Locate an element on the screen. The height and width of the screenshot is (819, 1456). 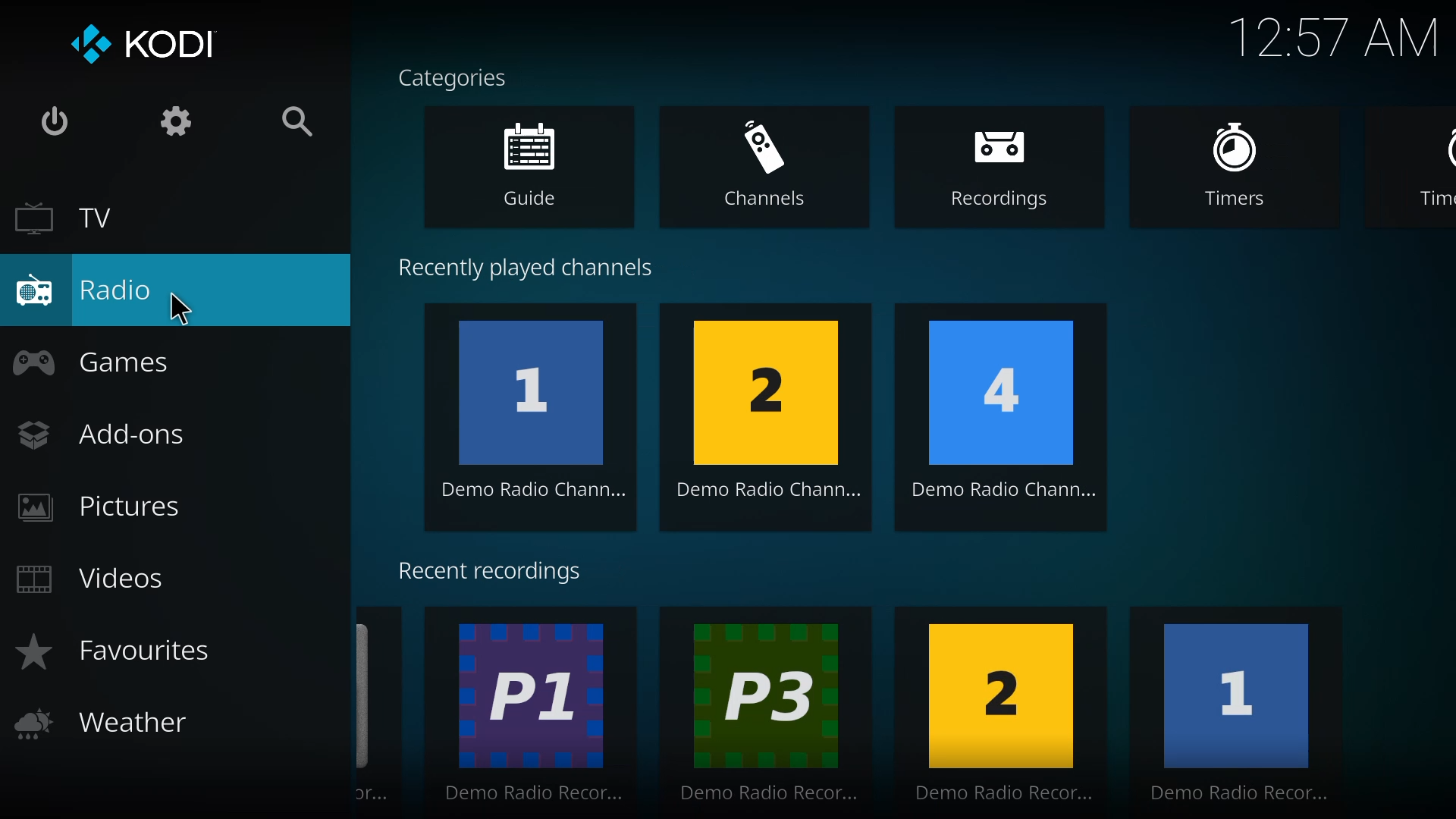
games is located at coordinates (99, 367).